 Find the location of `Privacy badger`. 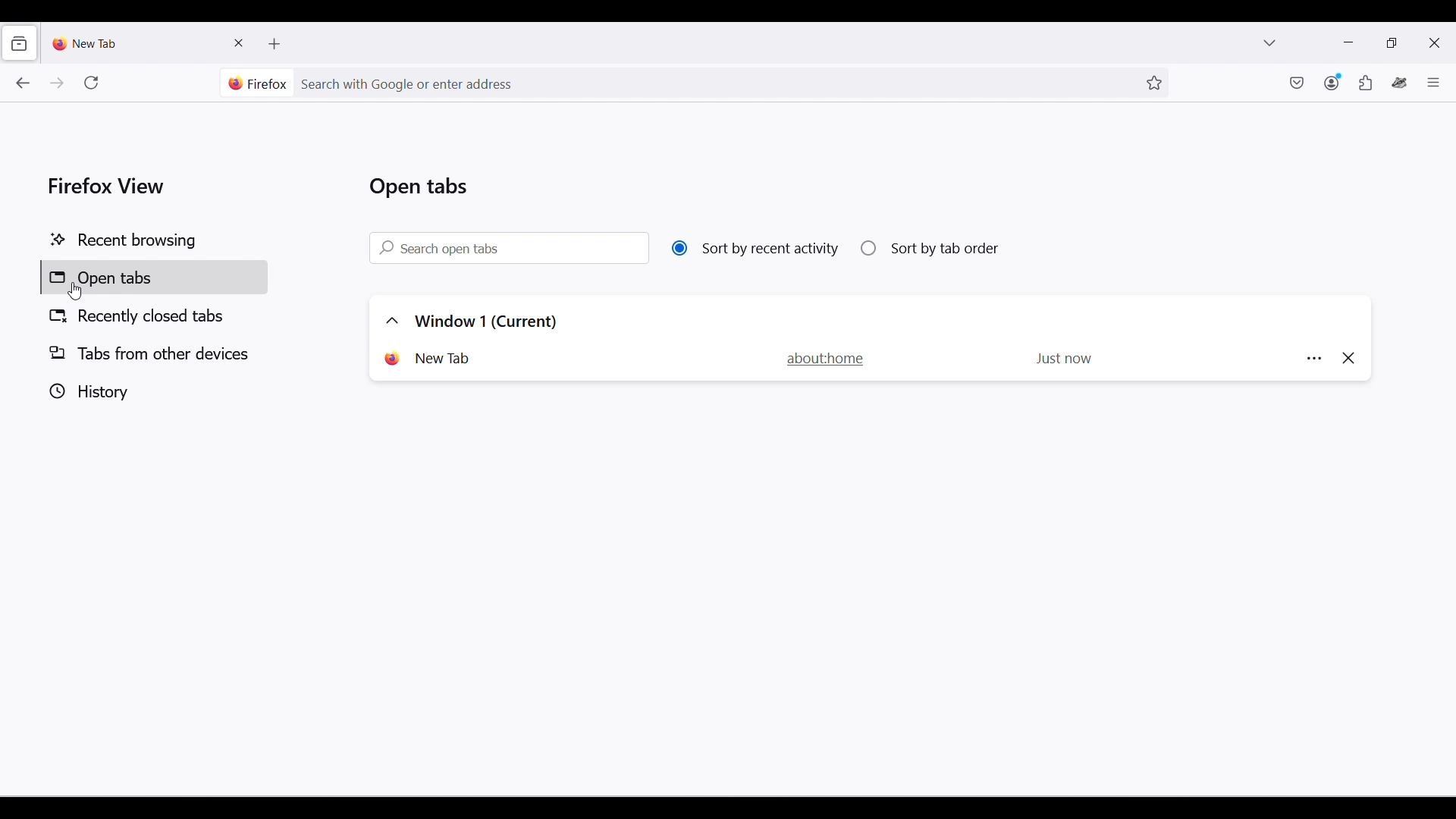

Privacy badger is located at coordinates (1400, 83).